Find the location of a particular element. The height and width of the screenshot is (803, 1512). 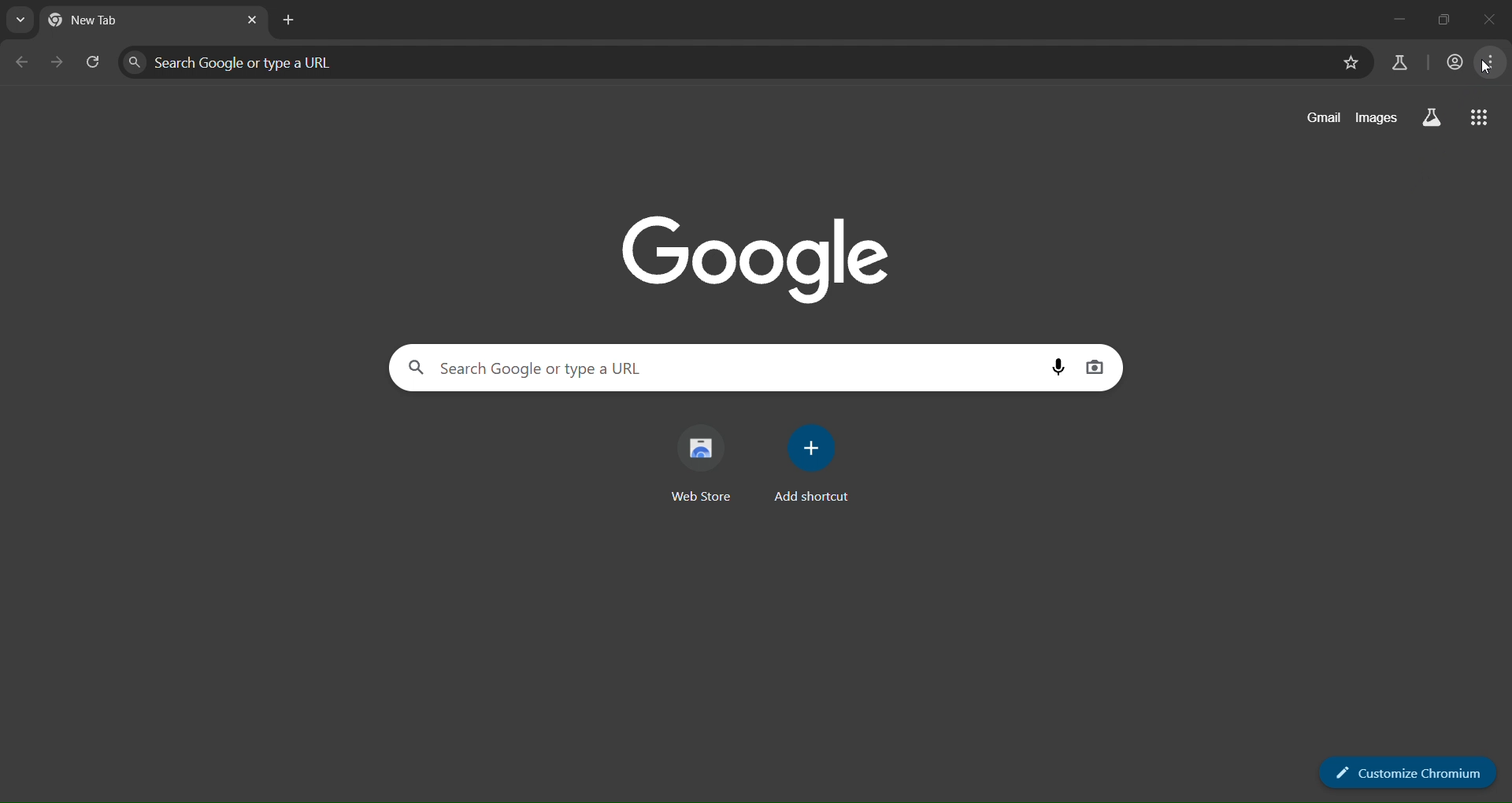

go back one page is located at coordinates (24, 61).